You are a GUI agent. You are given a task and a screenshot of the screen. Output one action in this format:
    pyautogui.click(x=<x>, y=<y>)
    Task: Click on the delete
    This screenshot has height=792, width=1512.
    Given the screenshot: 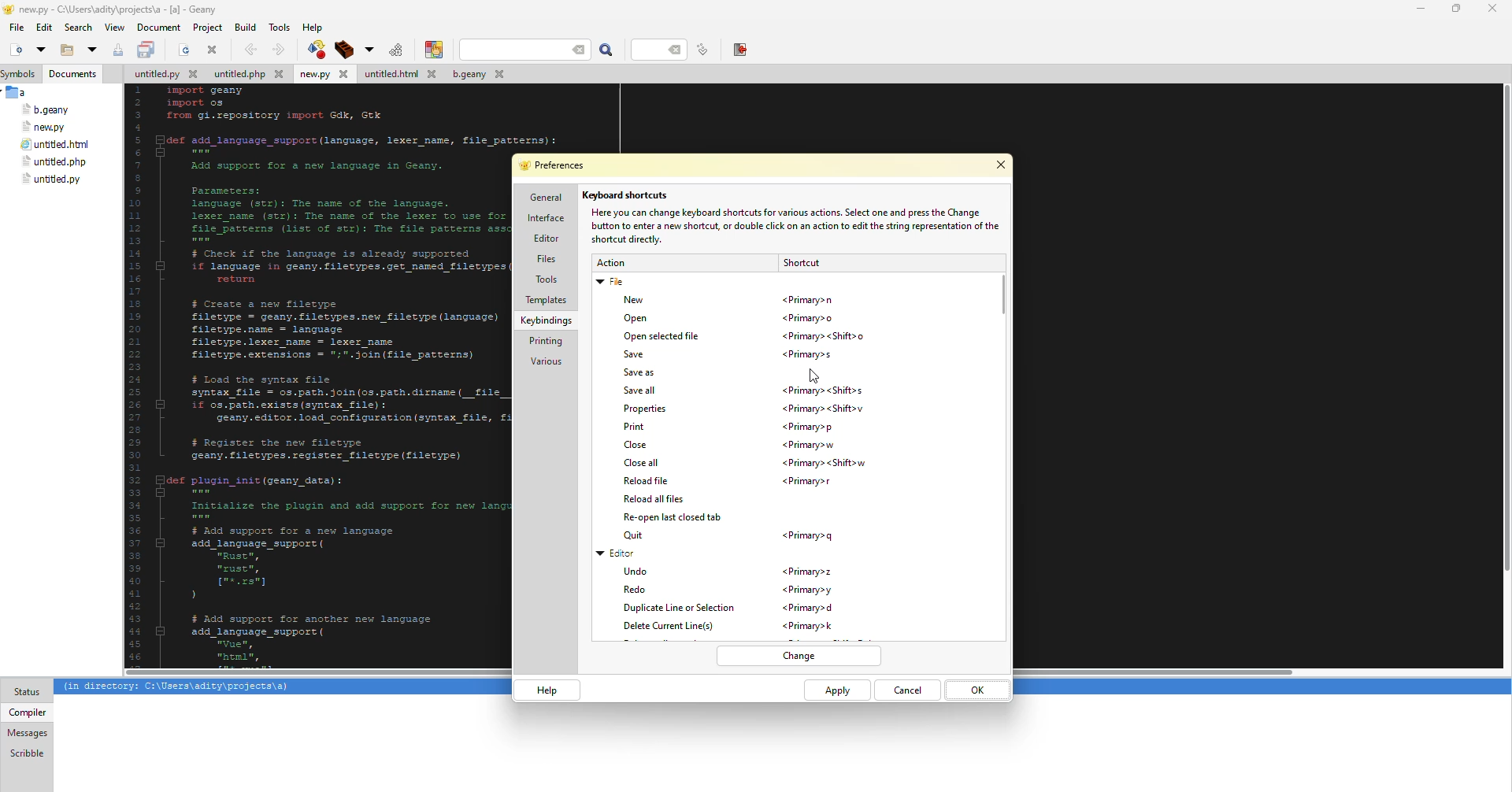 What is the action you would take?
    pyautogui.click(x=674, y=626)
    